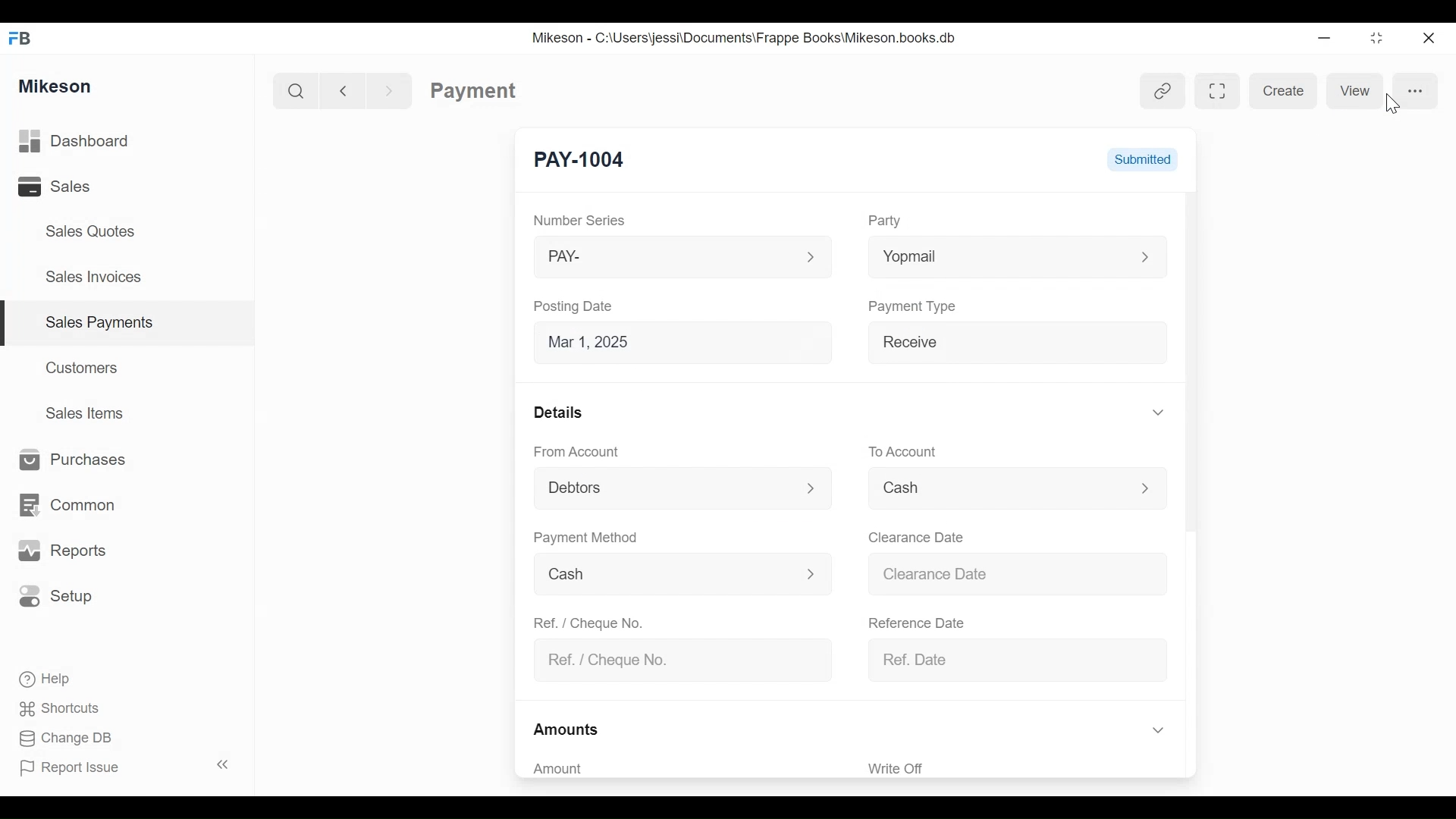  I want to click on Details, so click(561, 413).